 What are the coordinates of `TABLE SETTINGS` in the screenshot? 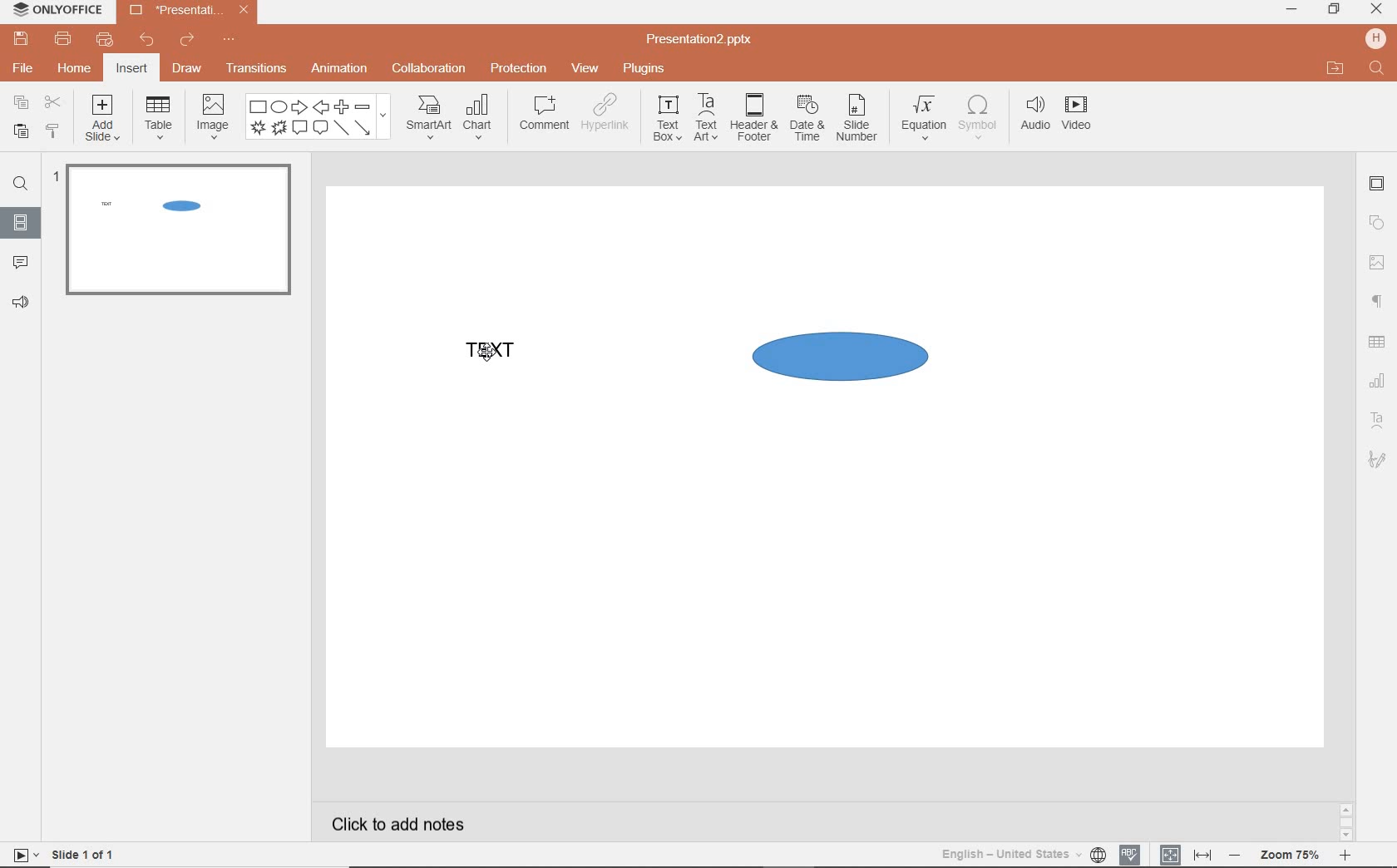 It's located at (1377, 343).